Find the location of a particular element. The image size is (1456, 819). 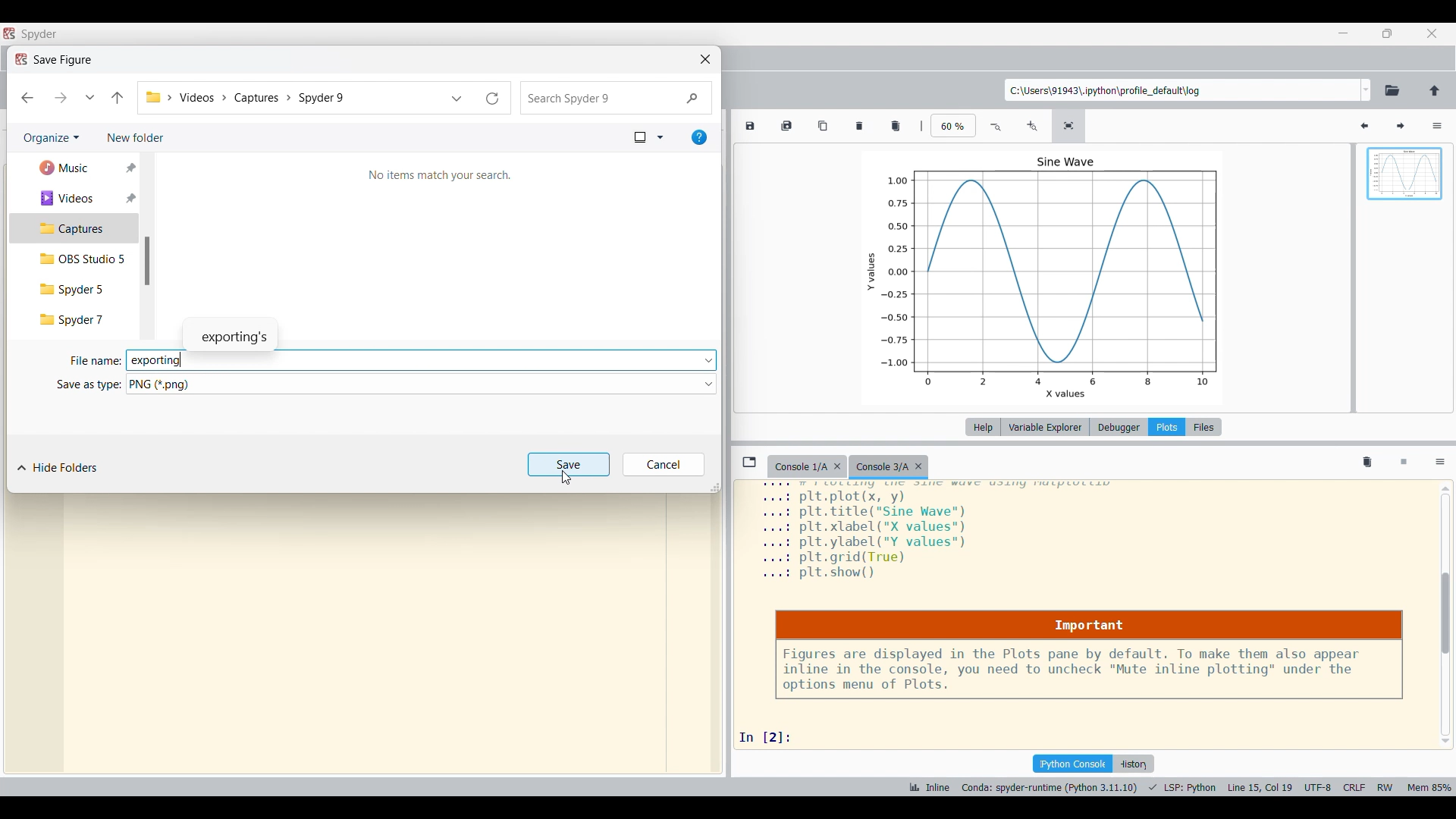

Music is located at coordinates (74, 168).